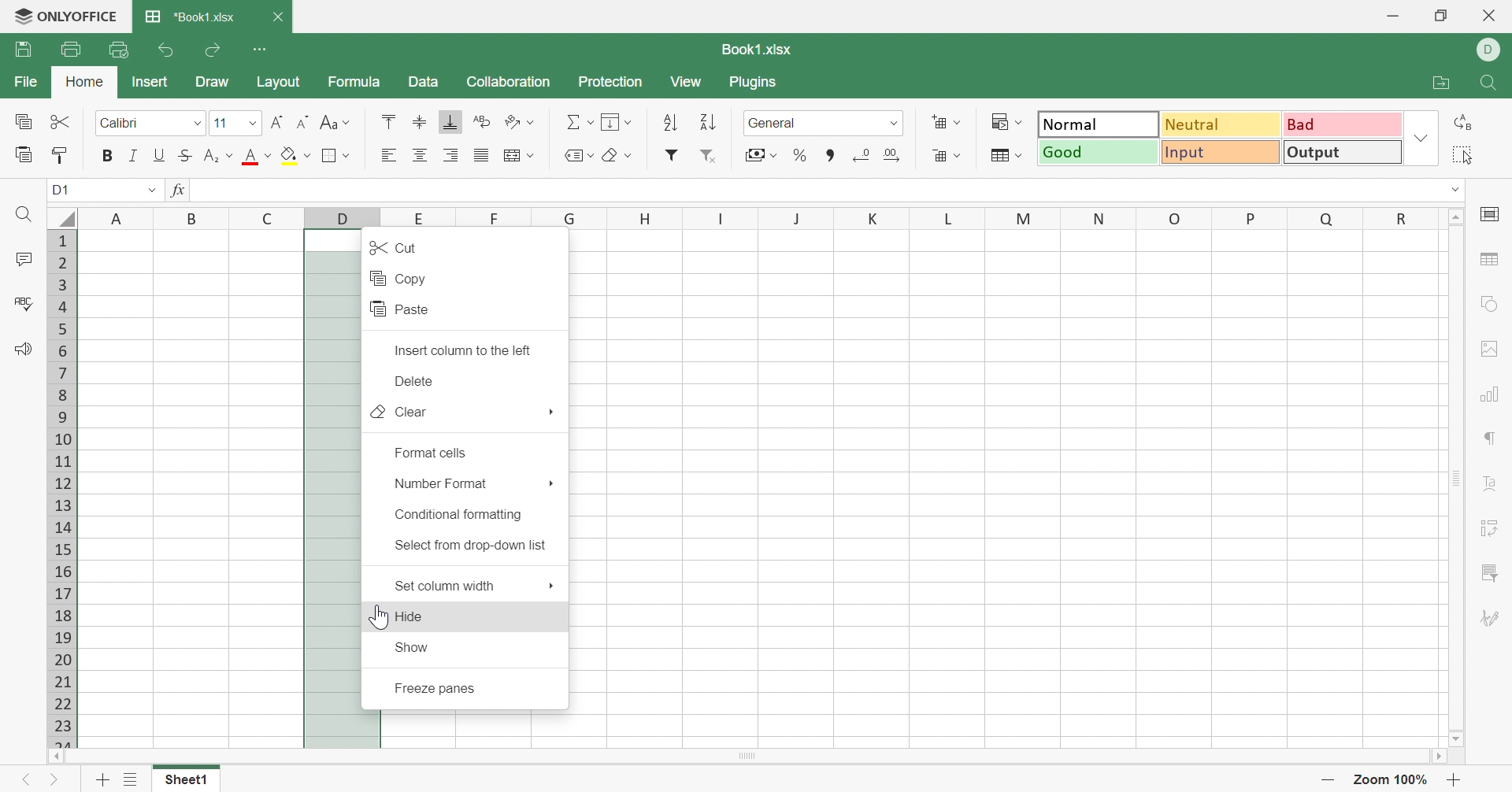 This screenshot has width=1512, height=792. What do you see at coordinates (774, 155) in the screenshot?
I see `Drop Down` at bounding box center [774, 155].